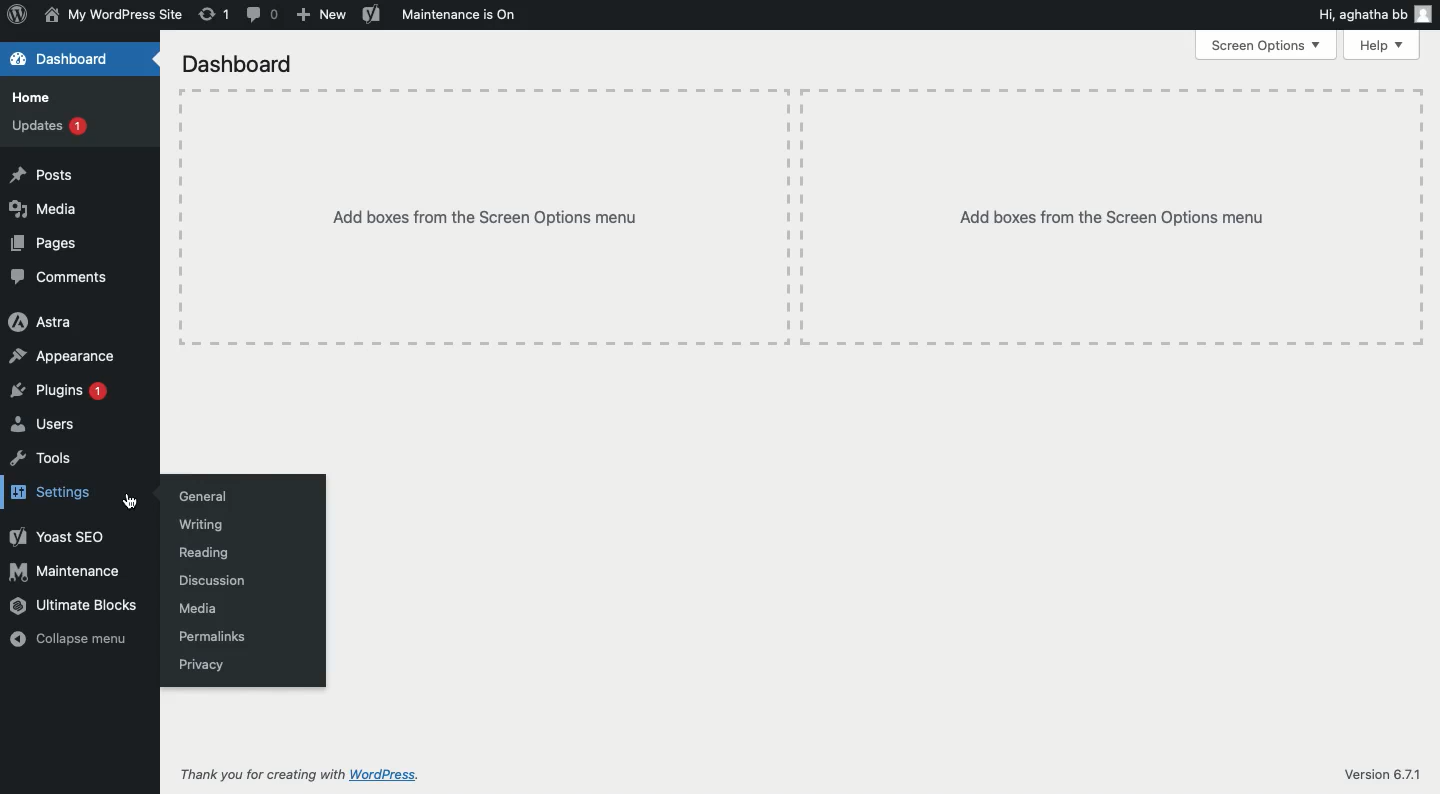 The image size is (1440, 794). I want to click on Plugins, so click(63, 392).